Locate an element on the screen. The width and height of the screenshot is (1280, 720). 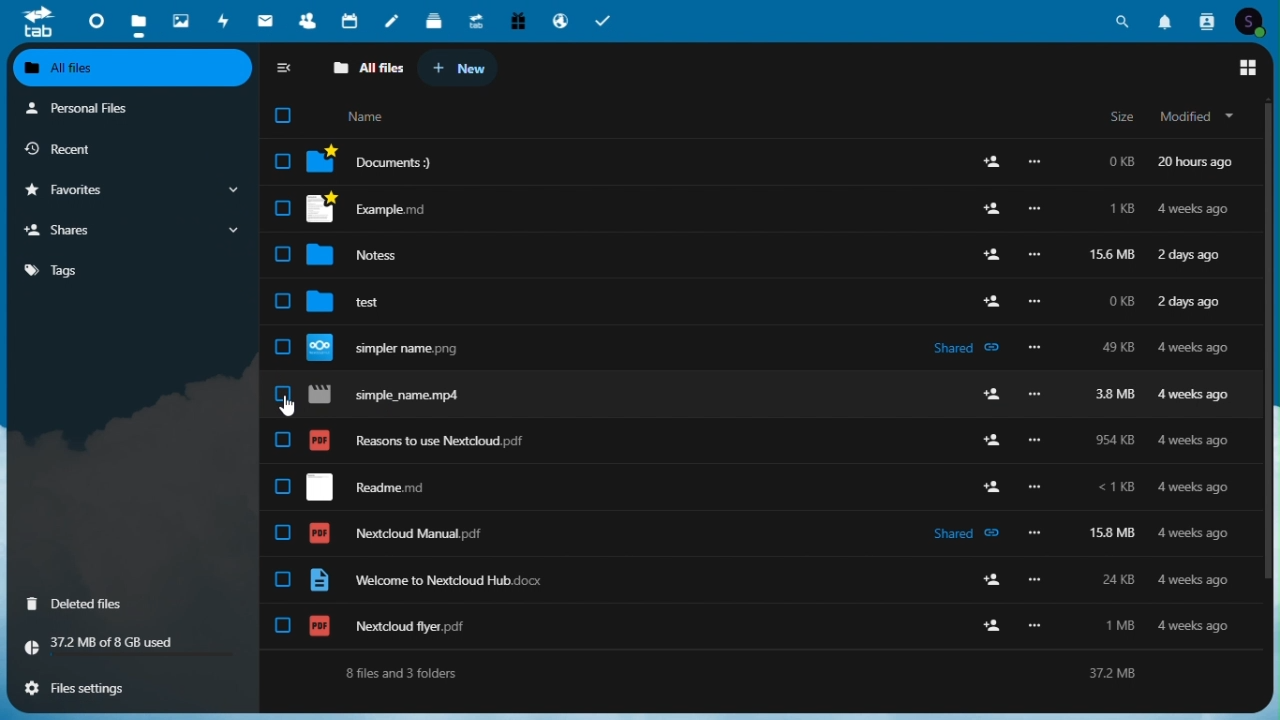
Modified is located at coordinates (1199, 119).